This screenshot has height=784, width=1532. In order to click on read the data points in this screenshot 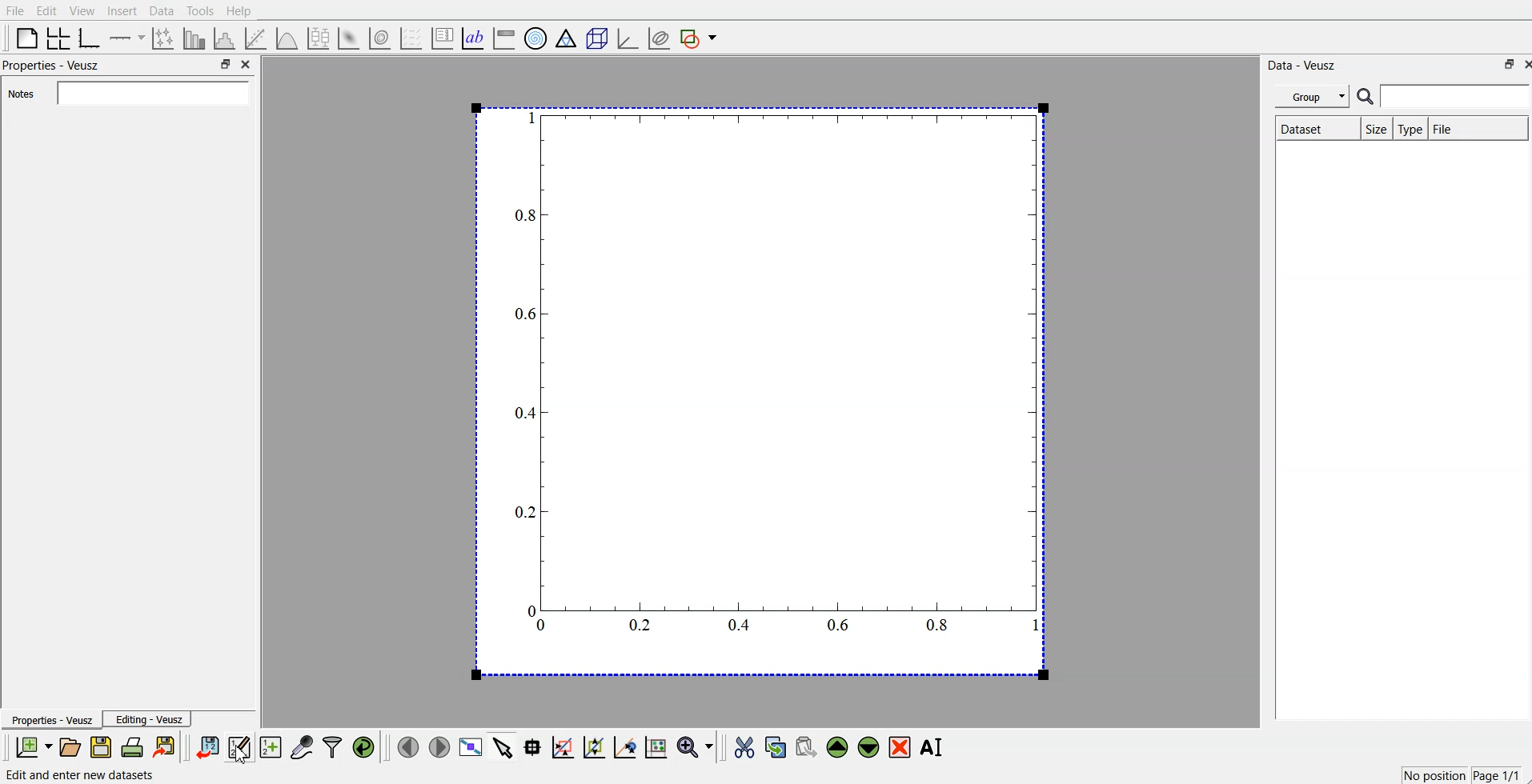, I will do `click(535, 749)`.